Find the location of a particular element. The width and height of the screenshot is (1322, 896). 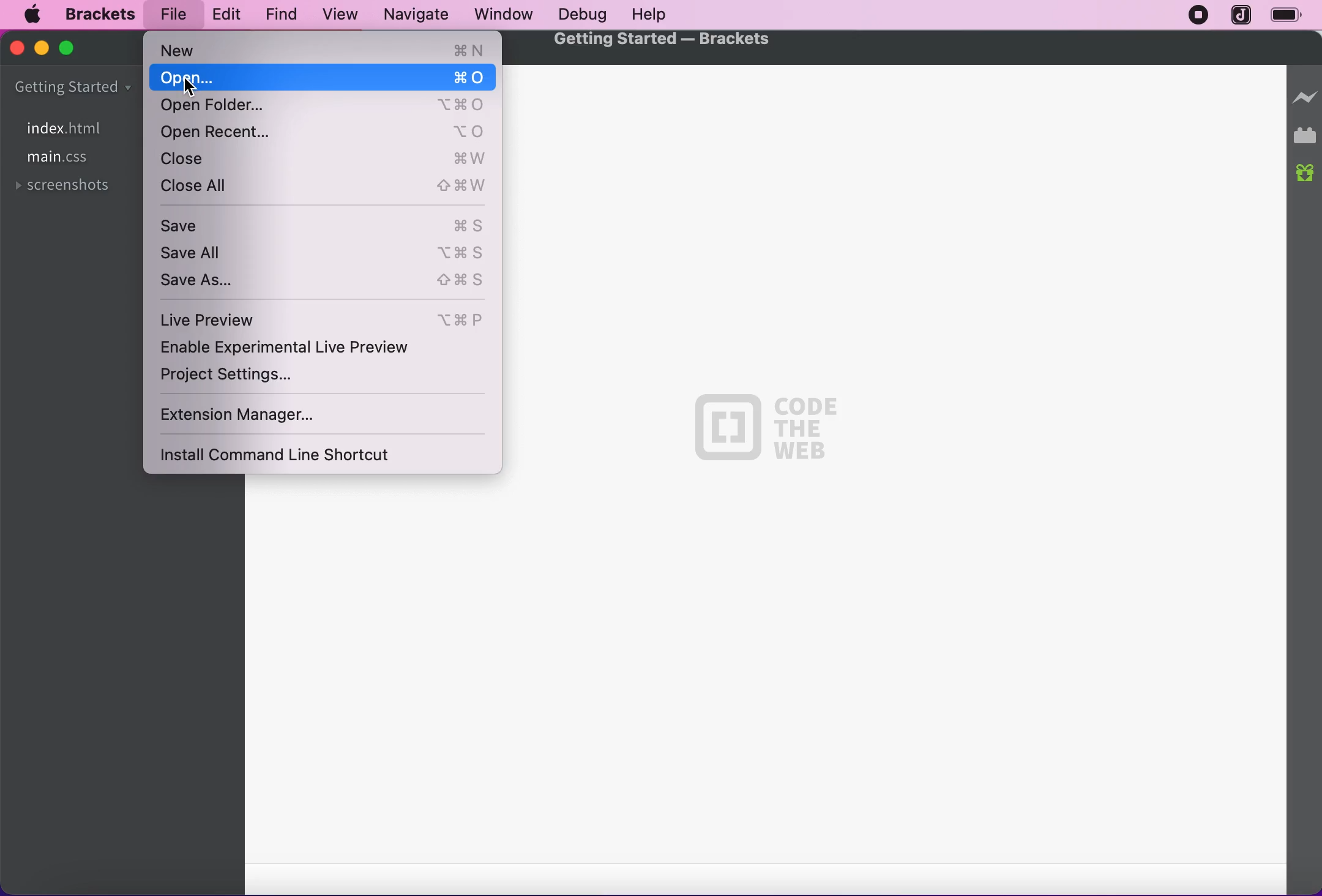

open folder is located at coordinates (322, 107).